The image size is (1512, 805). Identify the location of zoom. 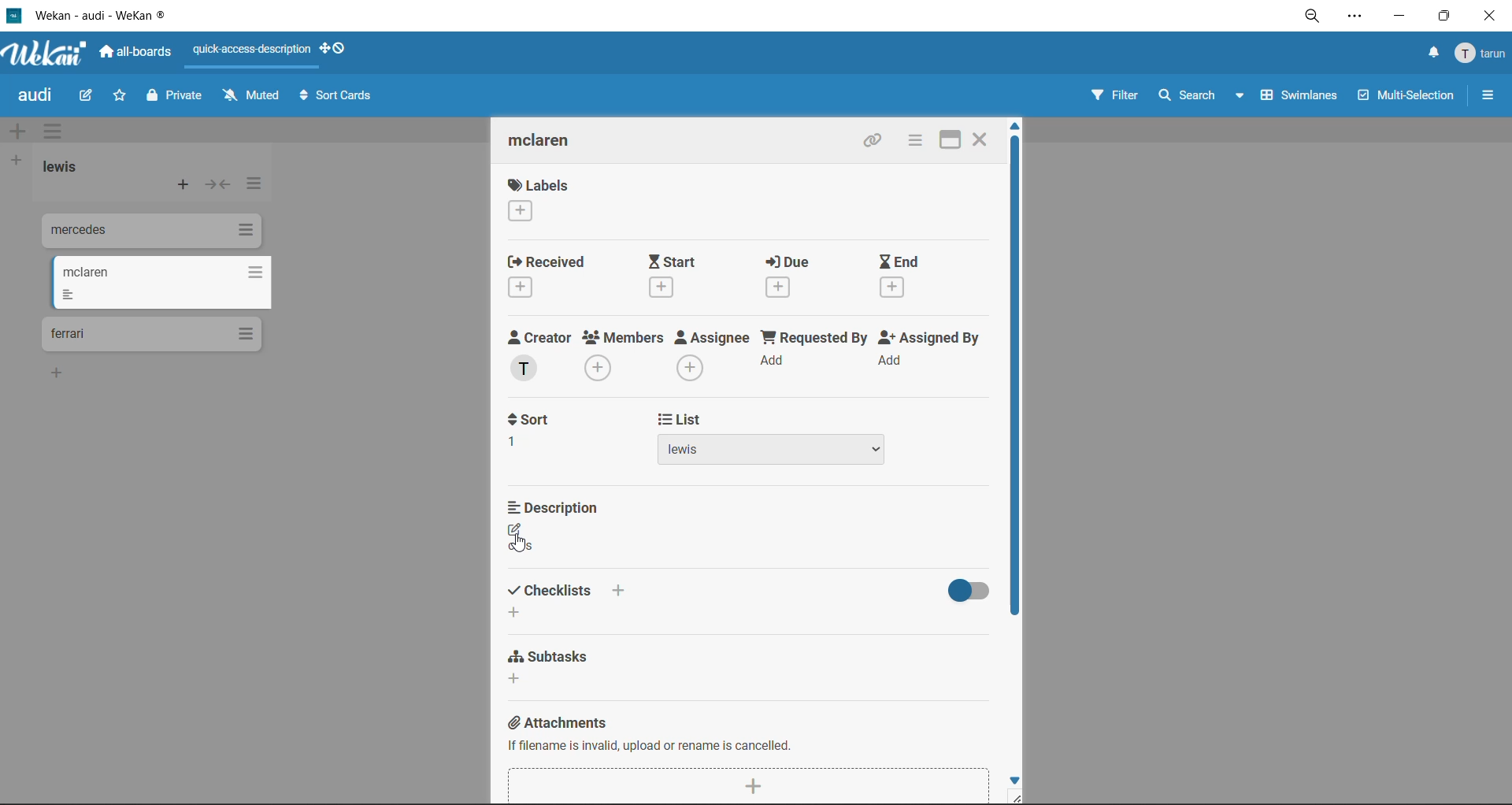
(1312, 17).